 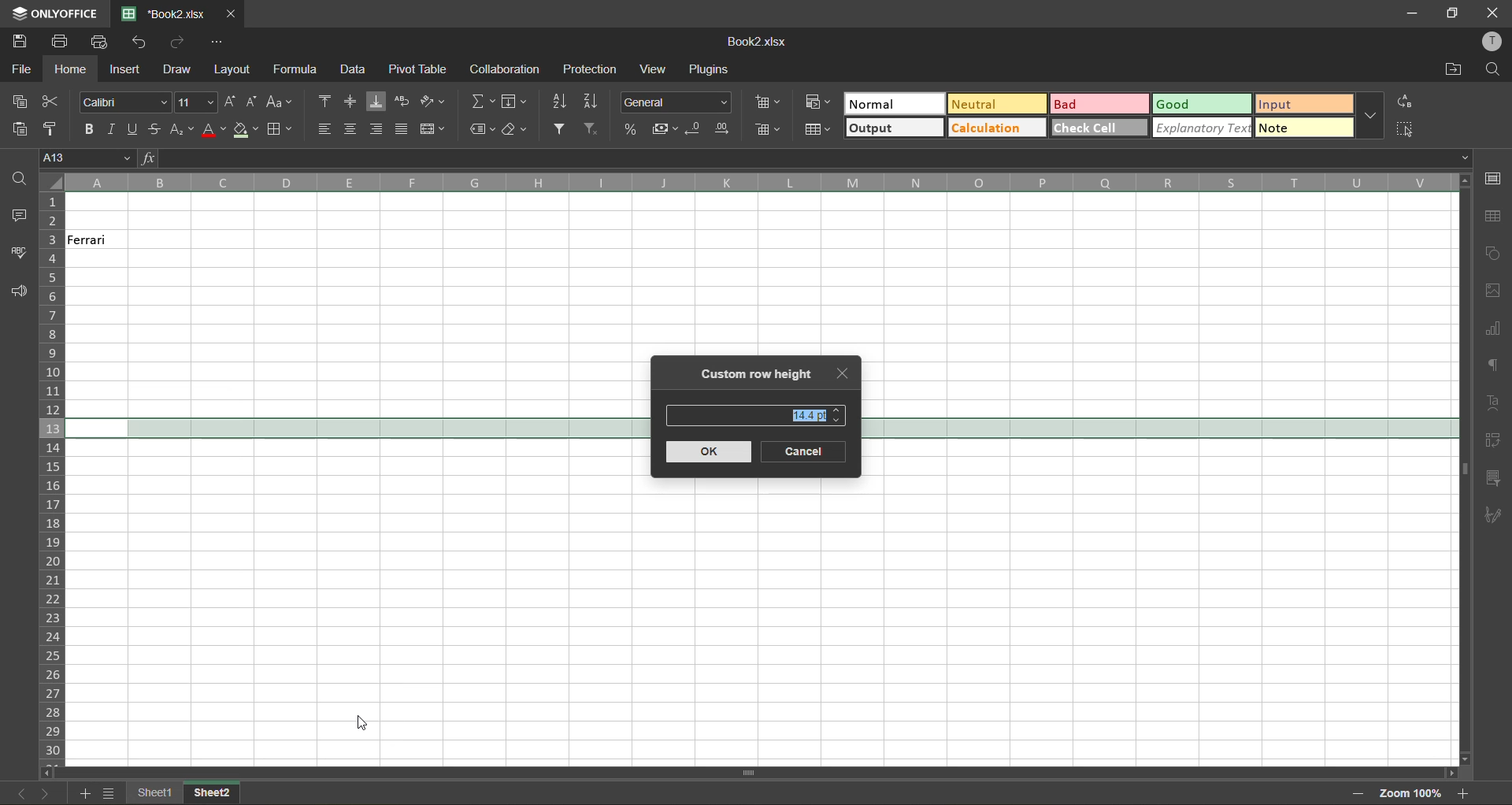 What do you see at coordinates (756, 183) in the screenshot?
I see `column names` at bounding box center [756, 183].